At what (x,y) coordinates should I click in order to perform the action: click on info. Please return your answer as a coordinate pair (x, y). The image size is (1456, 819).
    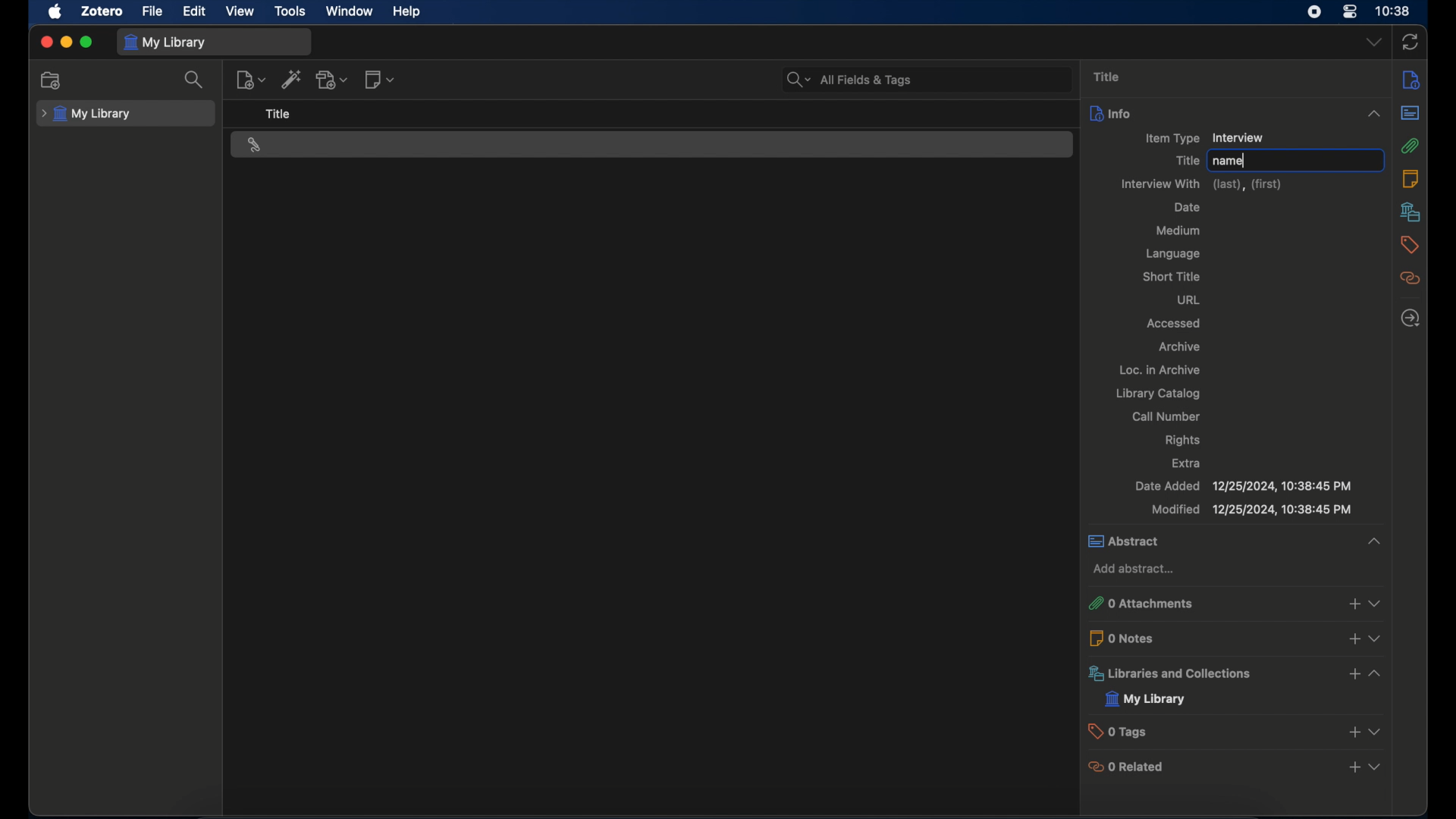
    Looking at the image, I should click on (1238, 113).